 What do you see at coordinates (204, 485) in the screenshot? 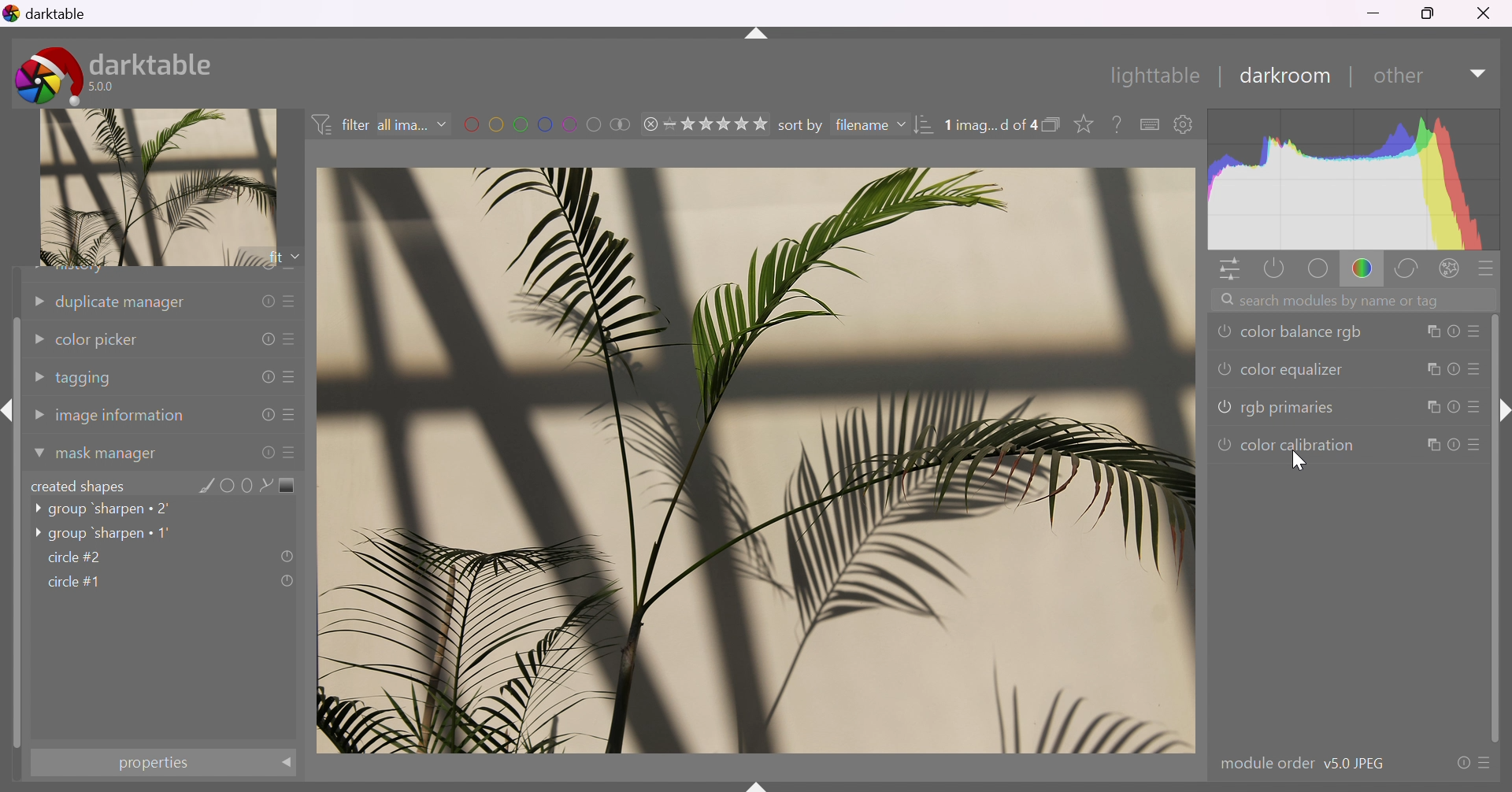
I see `add brush` at bounding box center [204, 485].